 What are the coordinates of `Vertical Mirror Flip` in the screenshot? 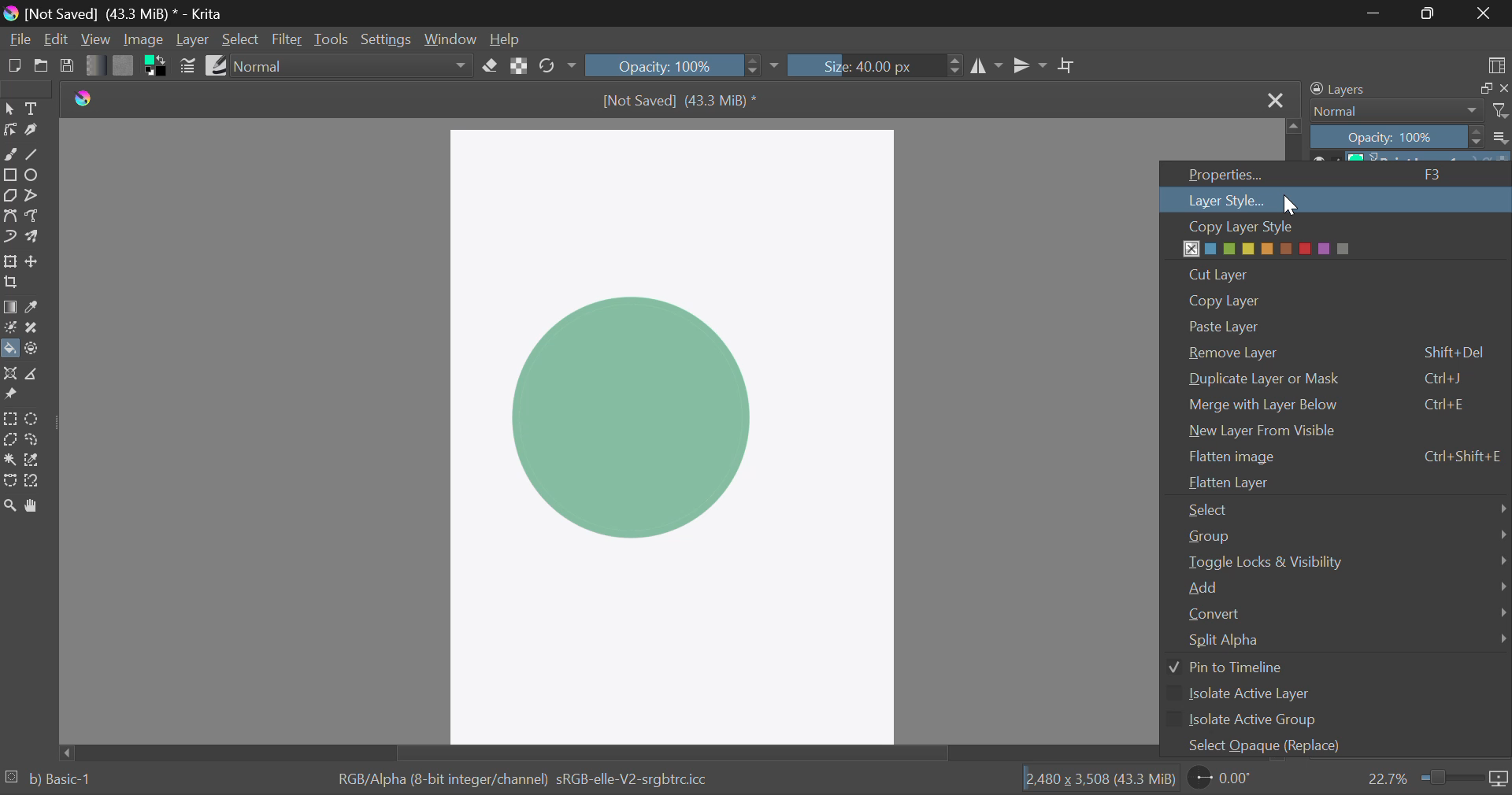 It's located at (988, 66).